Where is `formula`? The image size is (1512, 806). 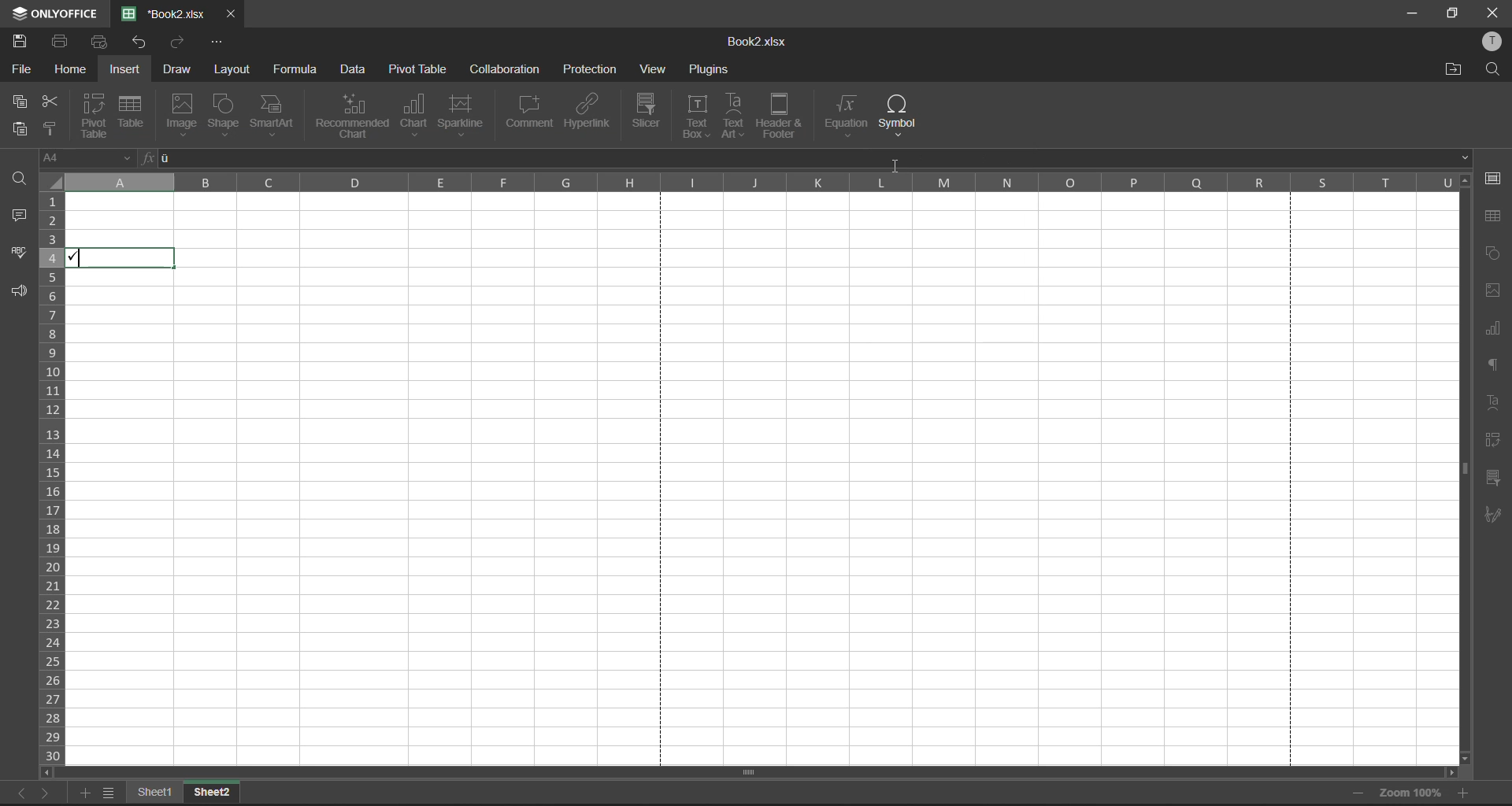
formula is located at coordinates (293, 71).